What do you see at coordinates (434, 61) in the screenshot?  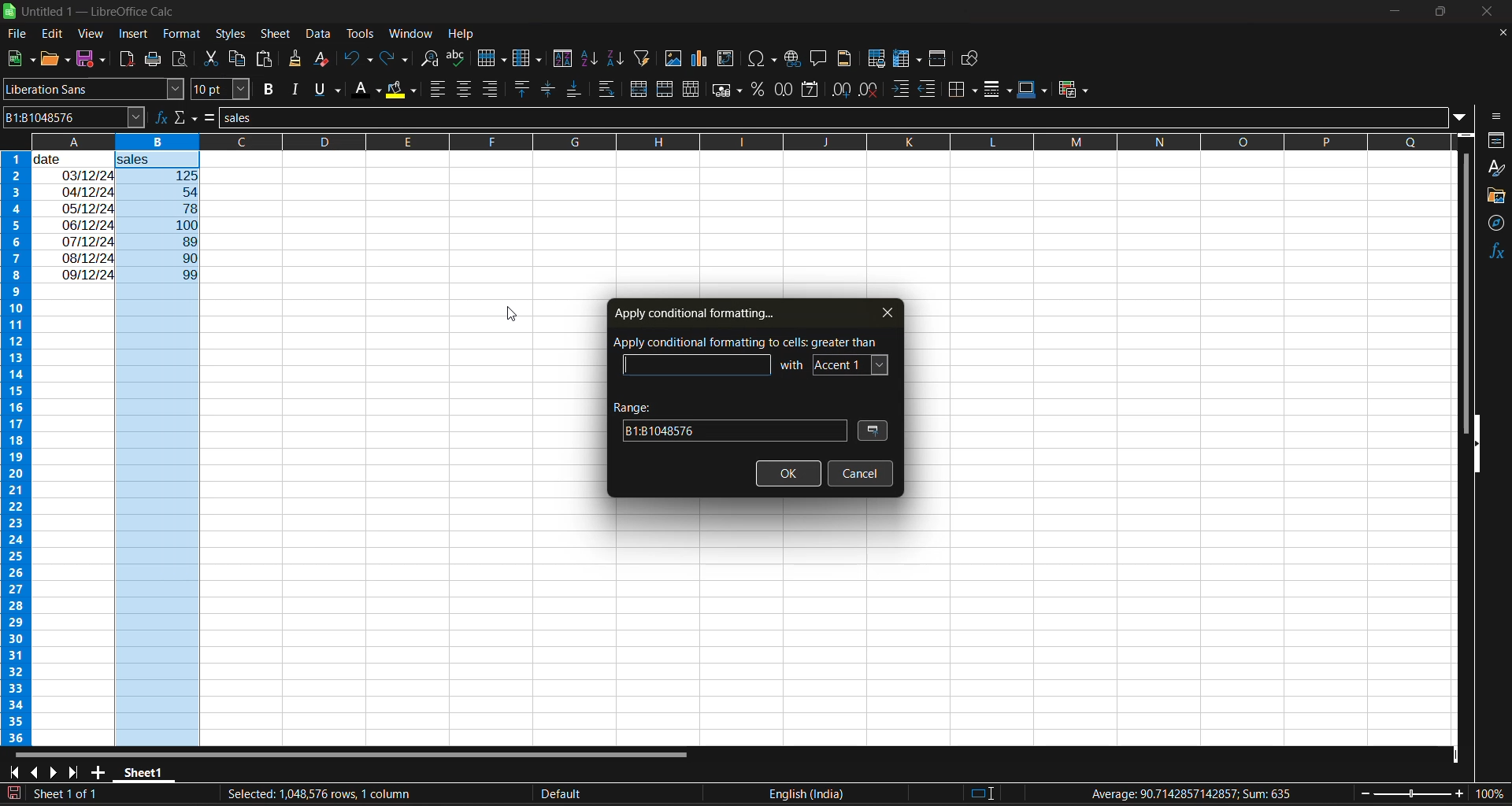 I see `find and replace` at bounding box center [434, 61].